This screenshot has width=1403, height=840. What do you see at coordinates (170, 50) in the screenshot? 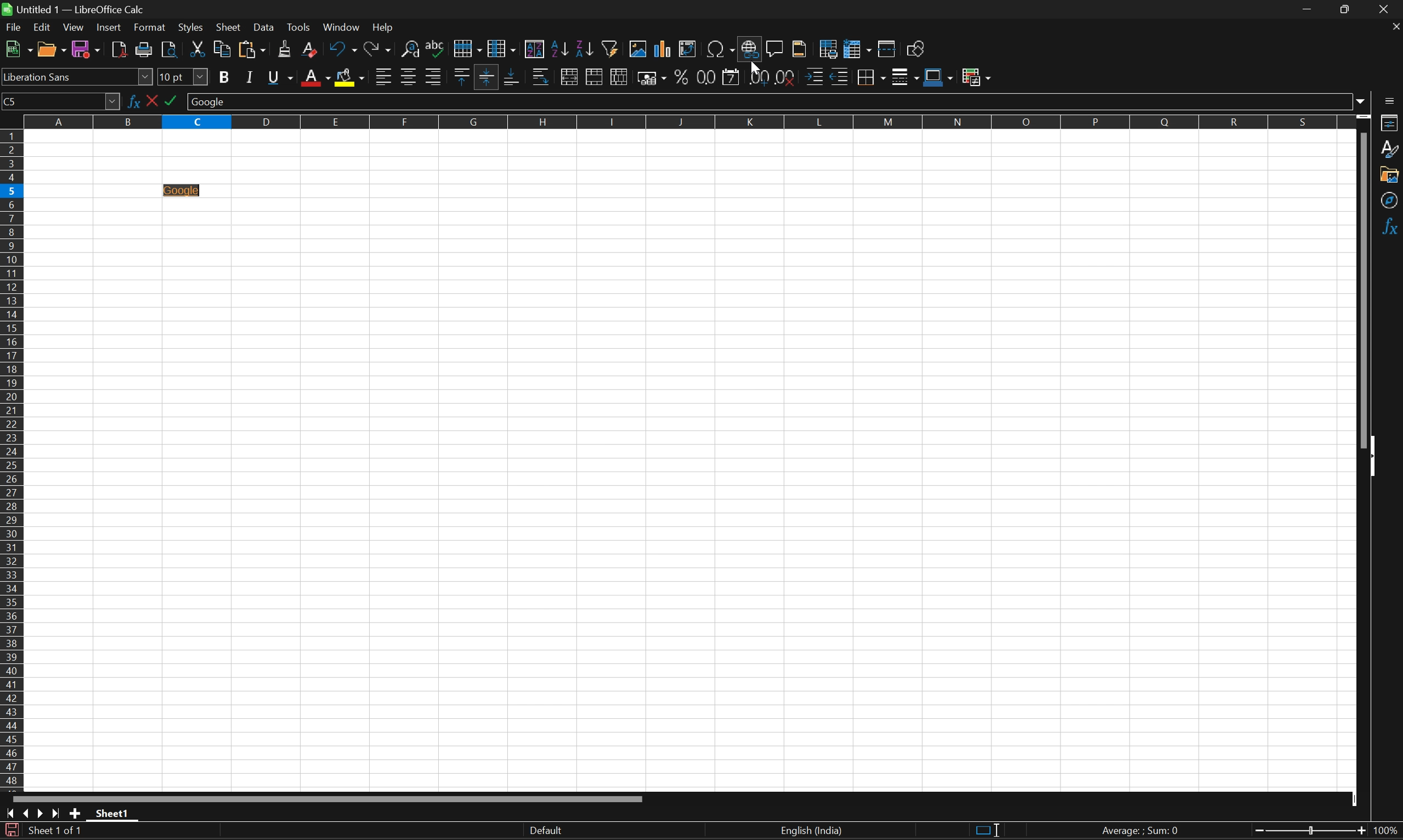
I see `Toggle print preview` at bounding box center [170, 50].